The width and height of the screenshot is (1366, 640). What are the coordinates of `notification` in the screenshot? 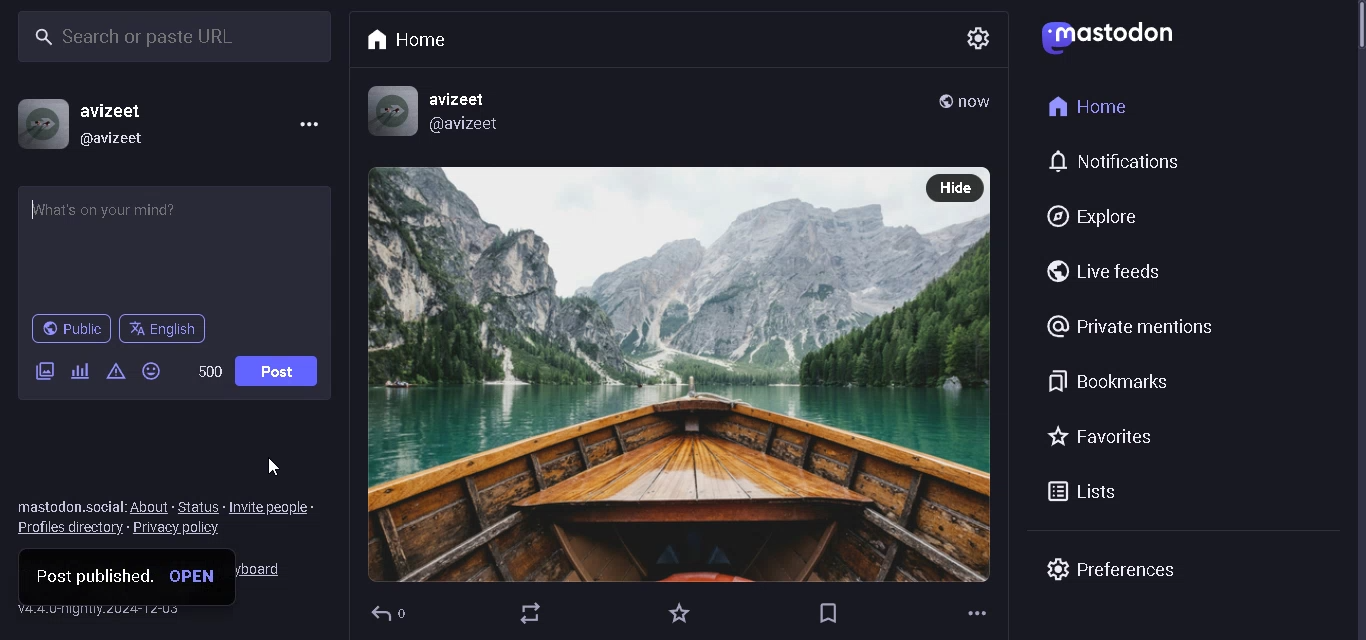 It's located at (1119, 163).